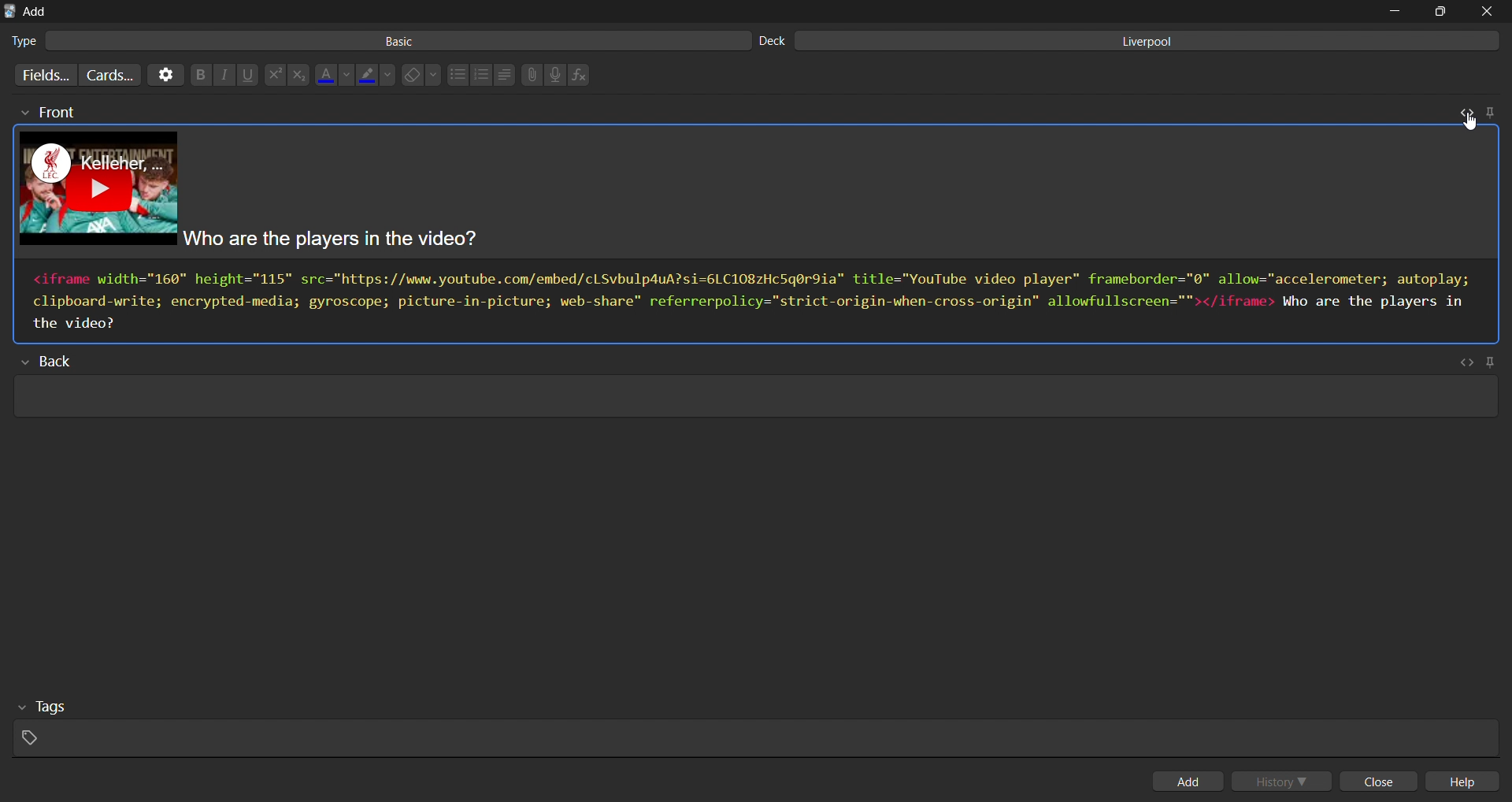  Describe the element at coordinates (559, 76) in the screenshot. I see `record audio` at that location.